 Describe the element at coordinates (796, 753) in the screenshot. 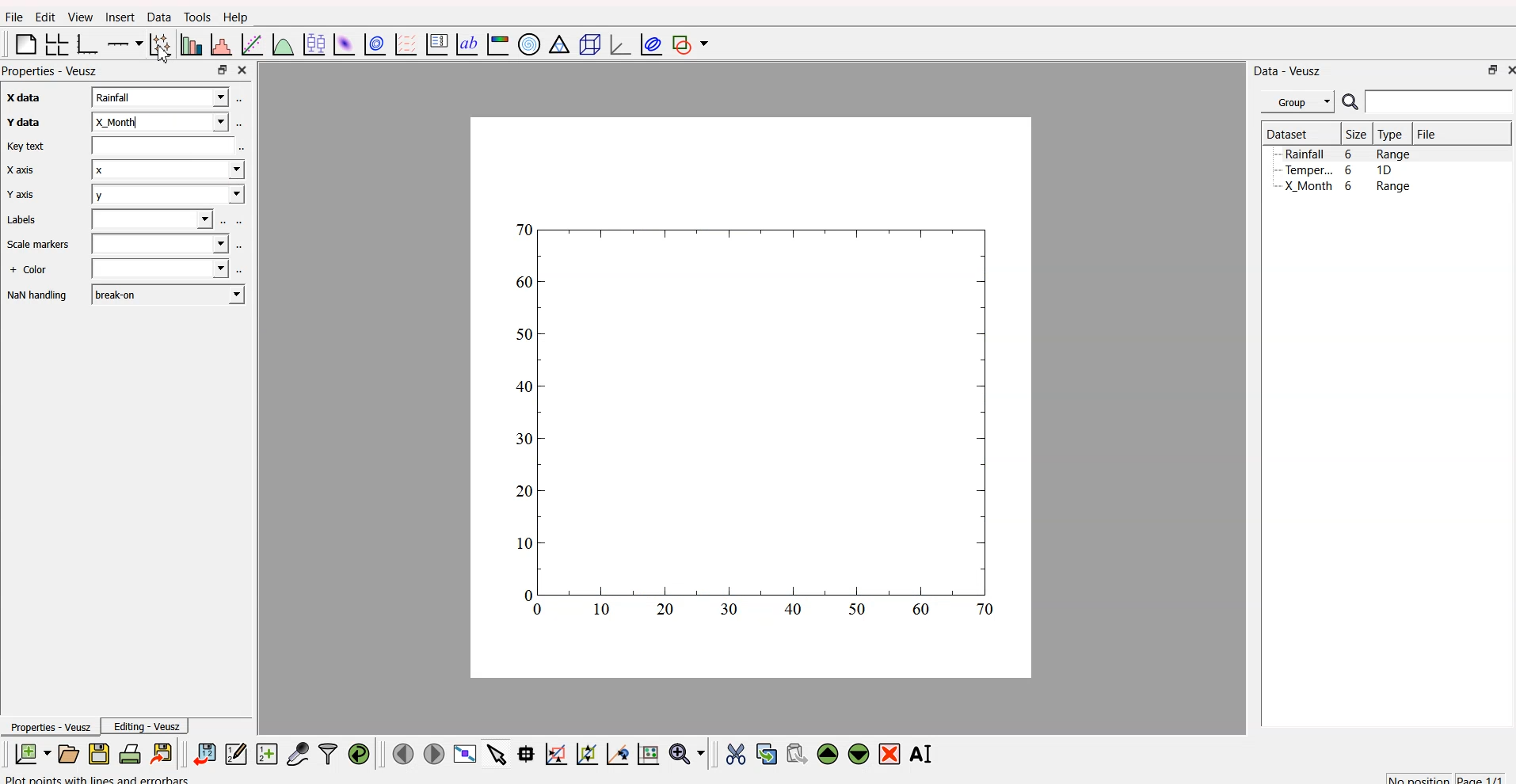

I see `paste the widget from the clipboard` at that location.